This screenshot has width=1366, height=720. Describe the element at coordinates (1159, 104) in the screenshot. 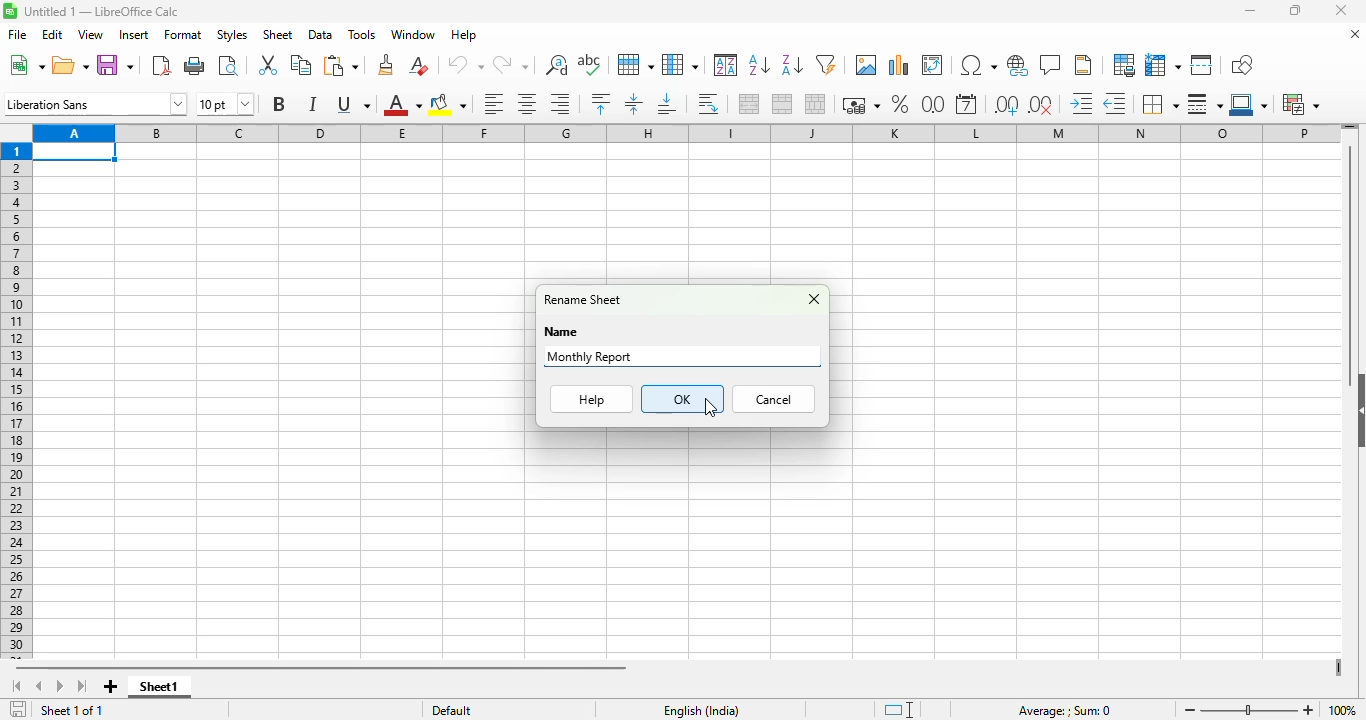

I see `borders` at that location.